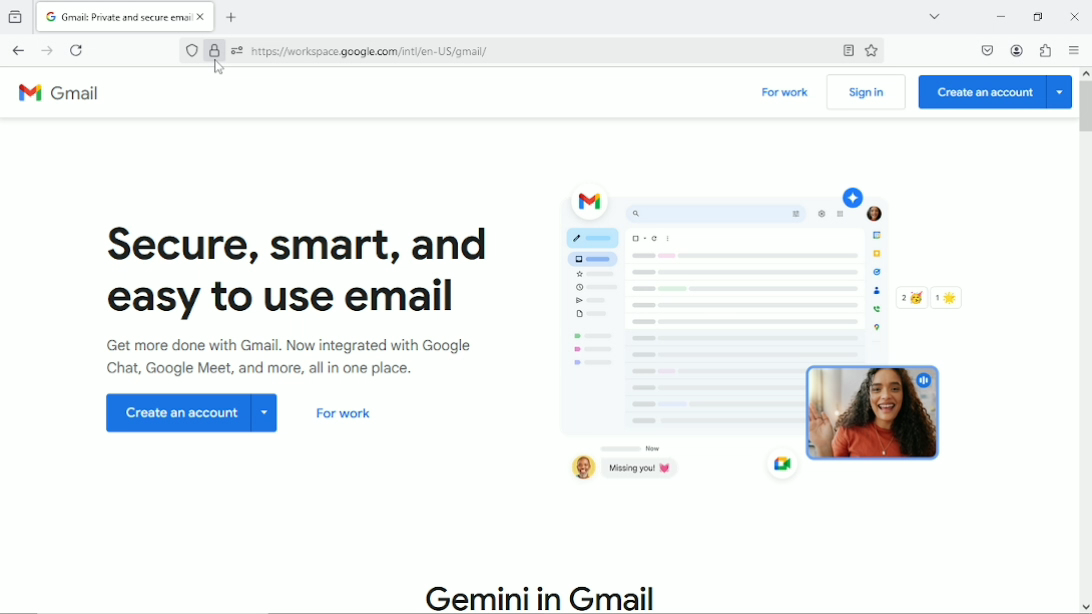 This screenshot has height=614, width=1092. Describe the element at coordinates (47, 50) in the screenshot. I see `Go forward` at that location.